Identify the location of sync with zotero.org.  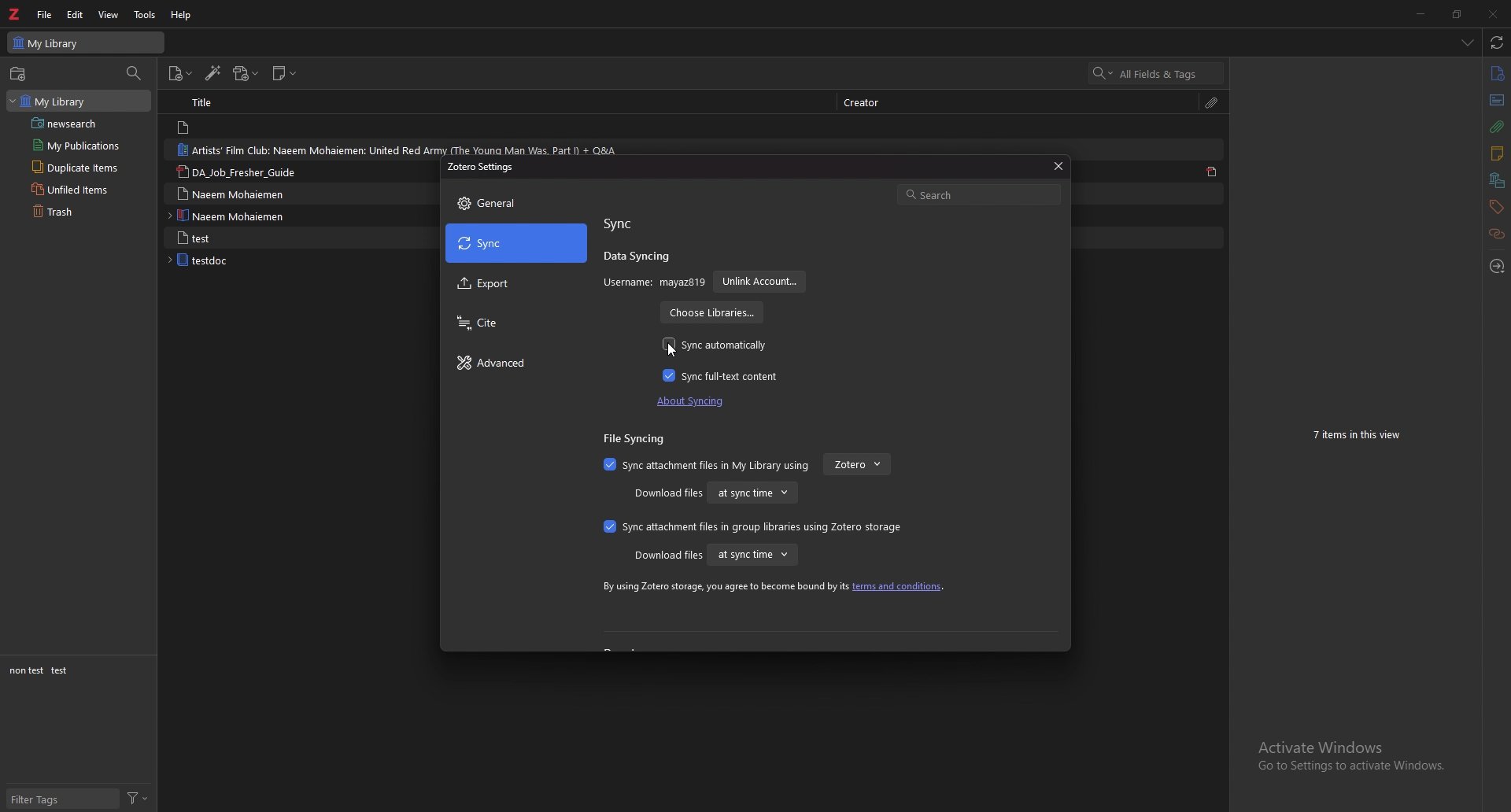
(1495, 42).